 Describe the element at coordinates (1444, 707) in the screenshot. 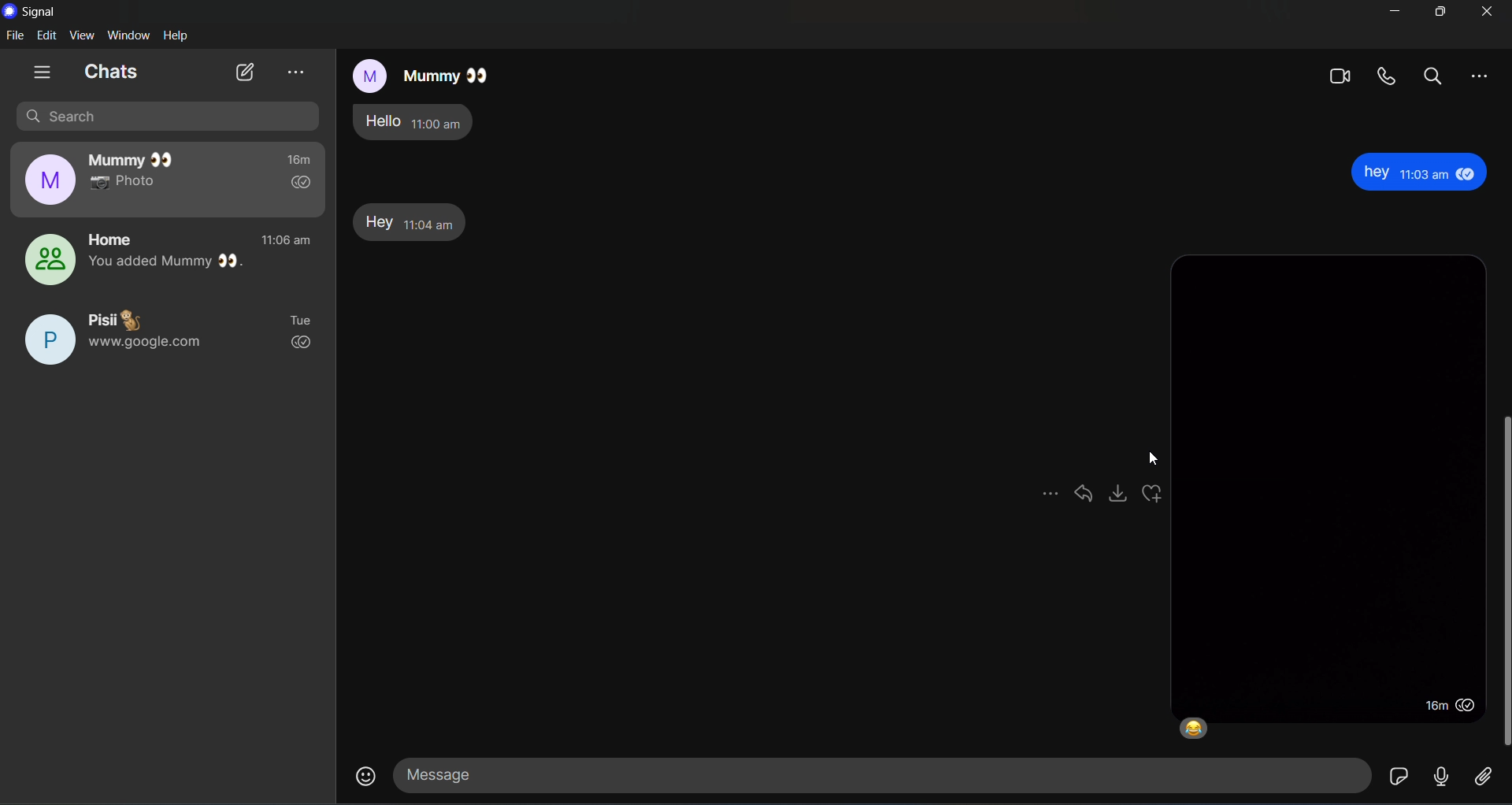

I see `message delivered time` at that location.